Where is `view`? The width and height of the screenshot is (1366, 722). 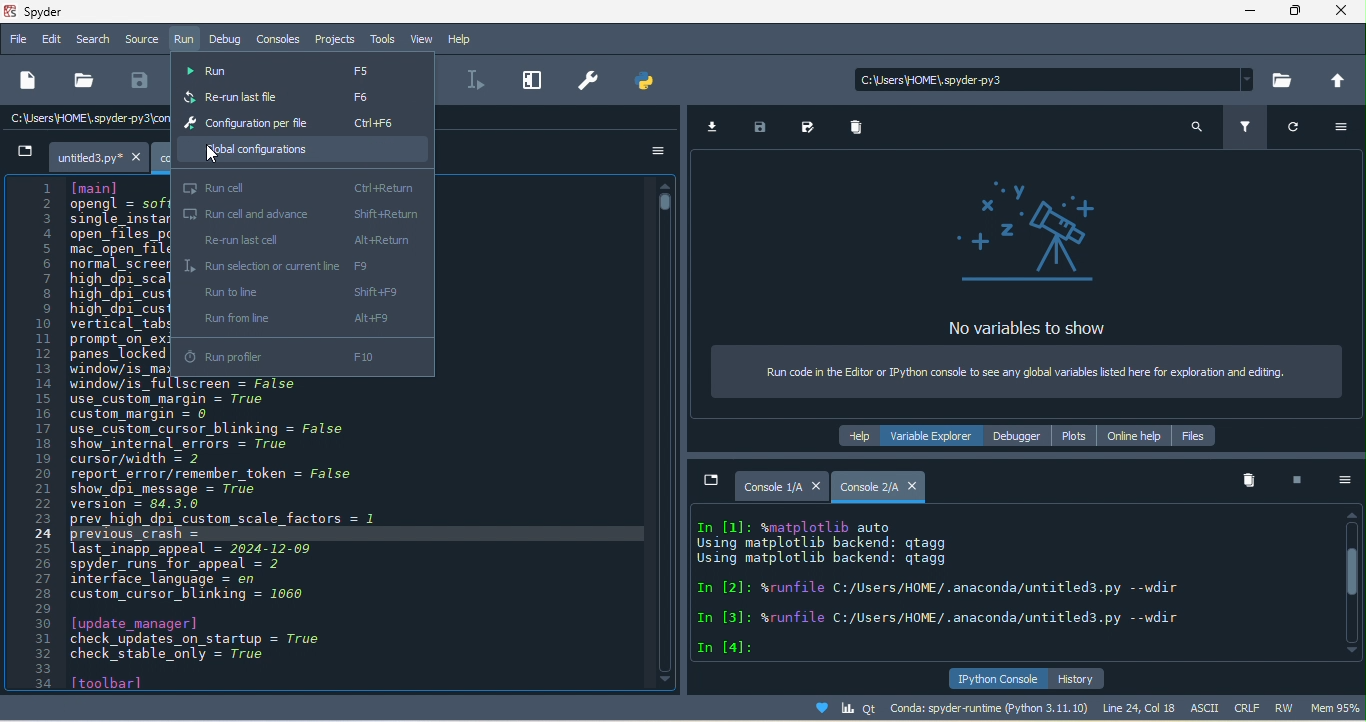 view is located at coordinates (424, 39).